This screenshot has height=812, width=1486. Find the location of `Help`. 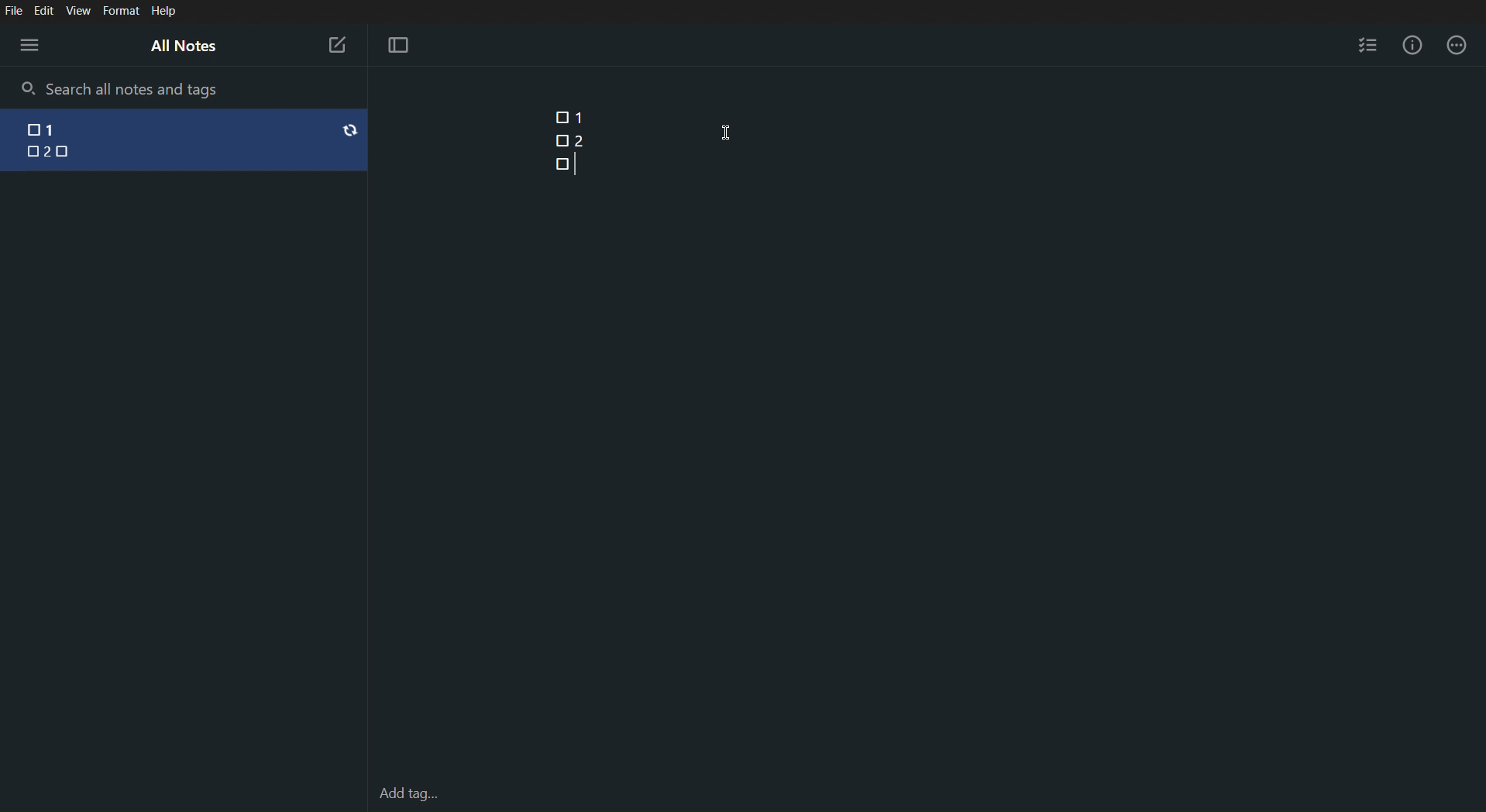

Help is located at coordinates (164, 12).